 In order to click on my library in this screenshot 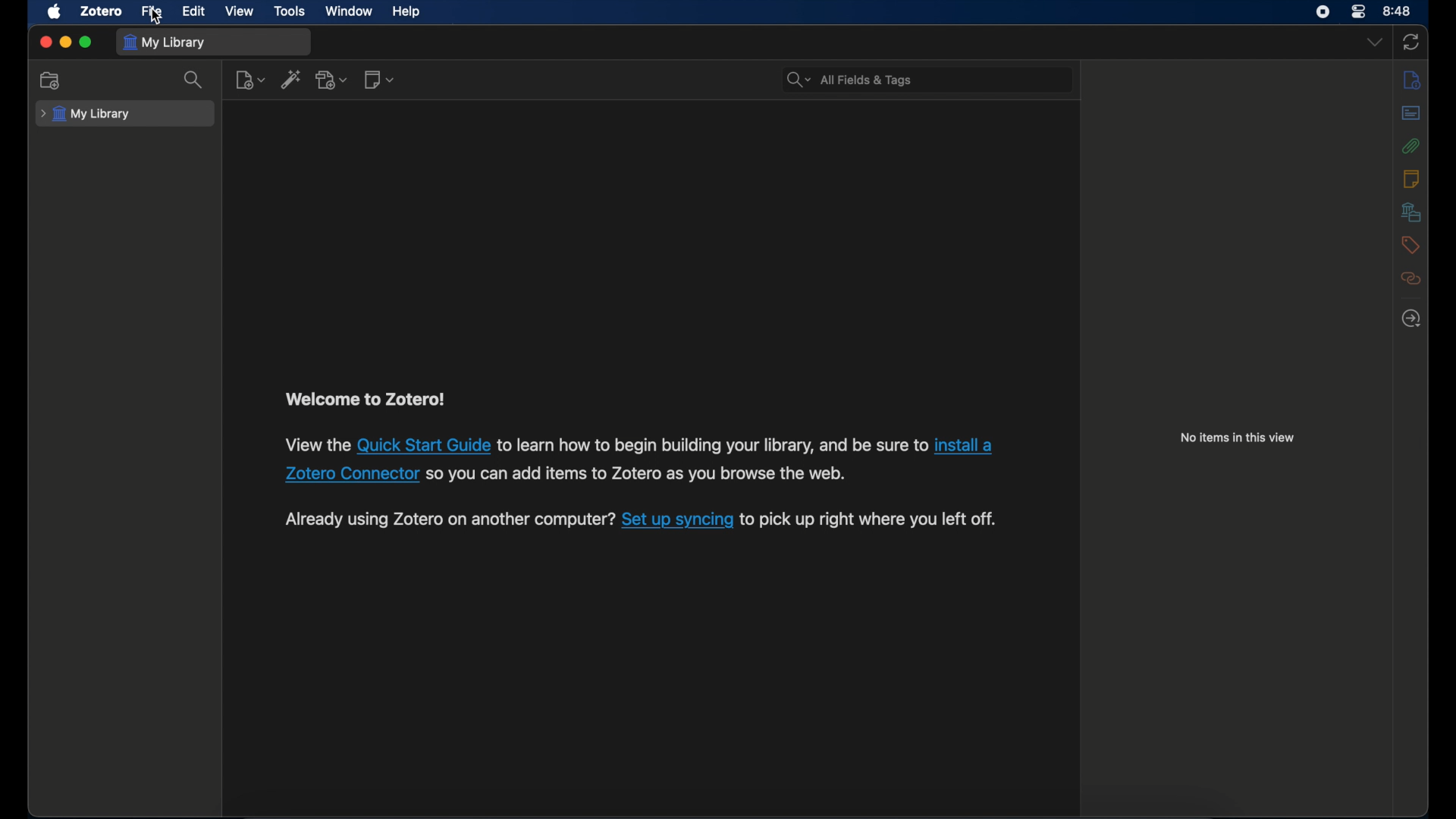, I will do `click(87, 114)`.